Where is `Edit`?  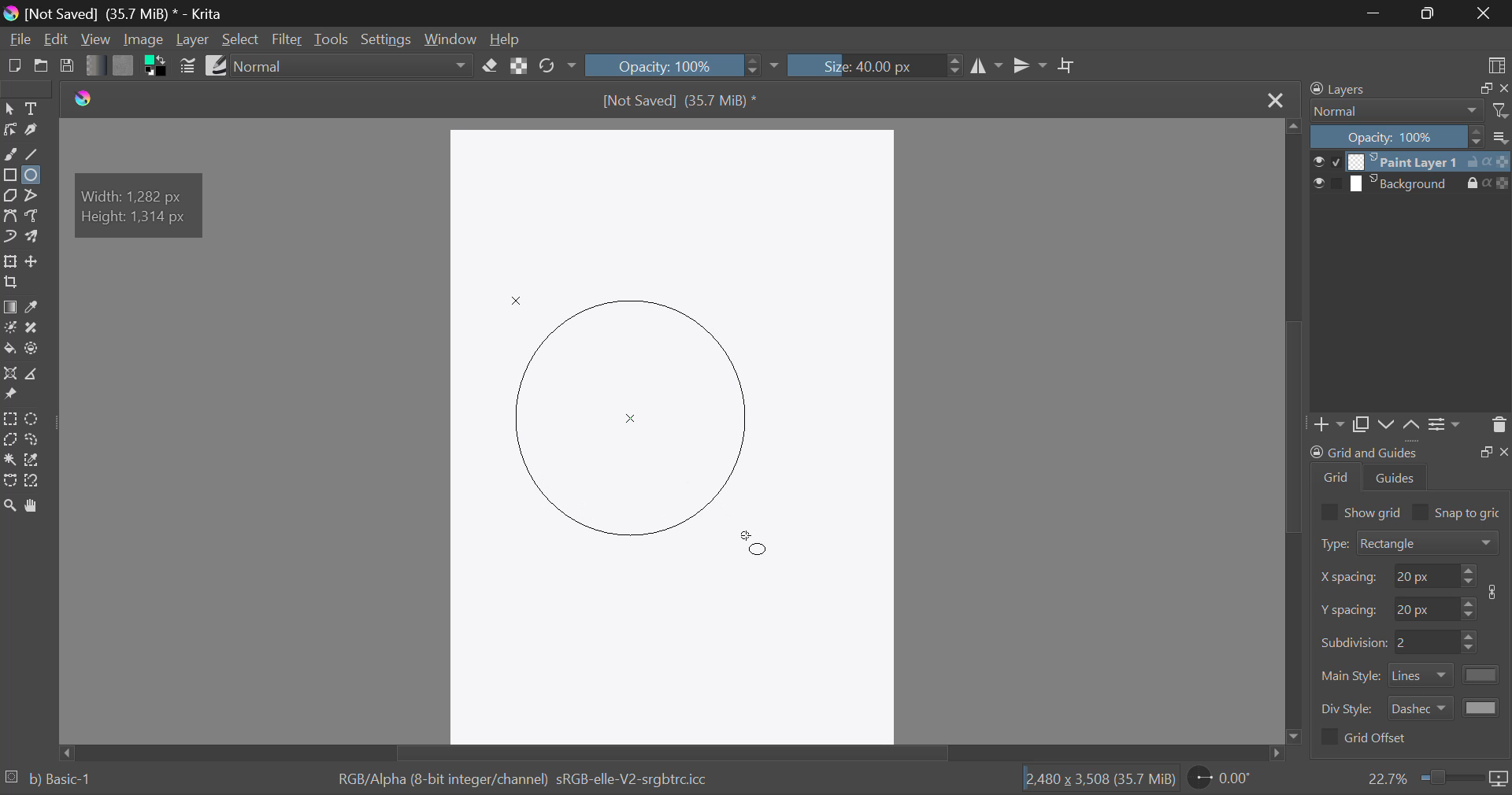
Edit is located at coordinates (57, 39).